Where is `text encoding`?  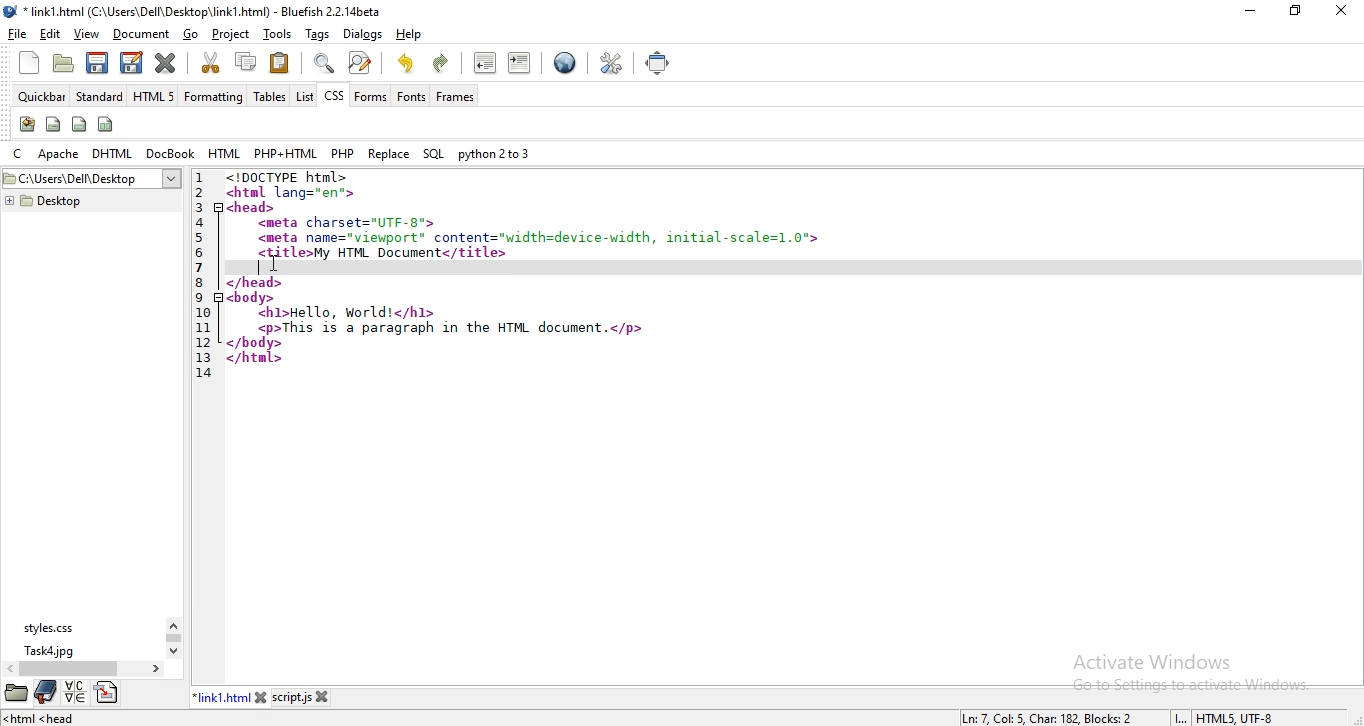
text encoding is located at coordinates (1235, 717).